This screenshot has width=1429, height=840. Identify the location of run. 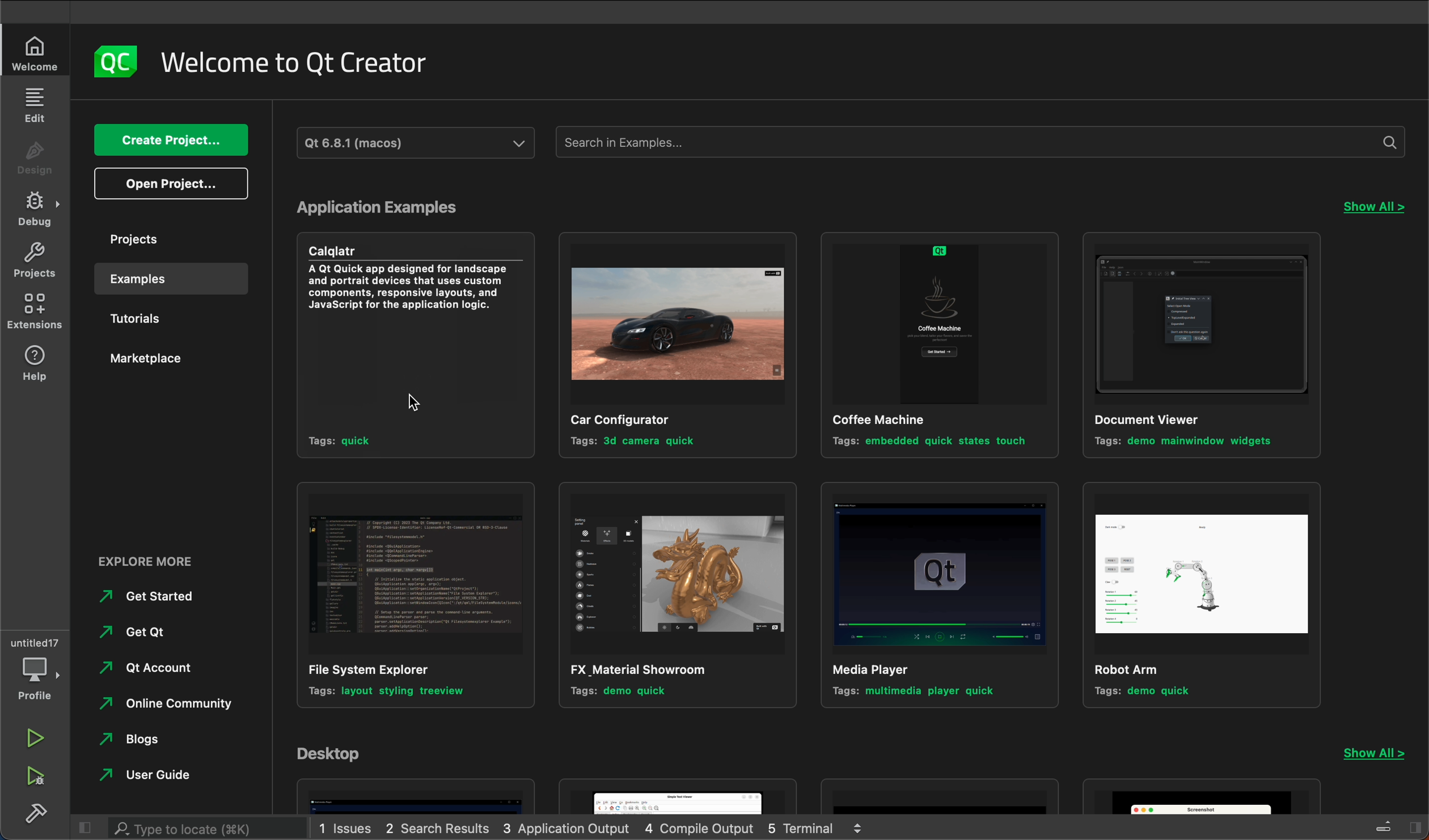
(40, 739).